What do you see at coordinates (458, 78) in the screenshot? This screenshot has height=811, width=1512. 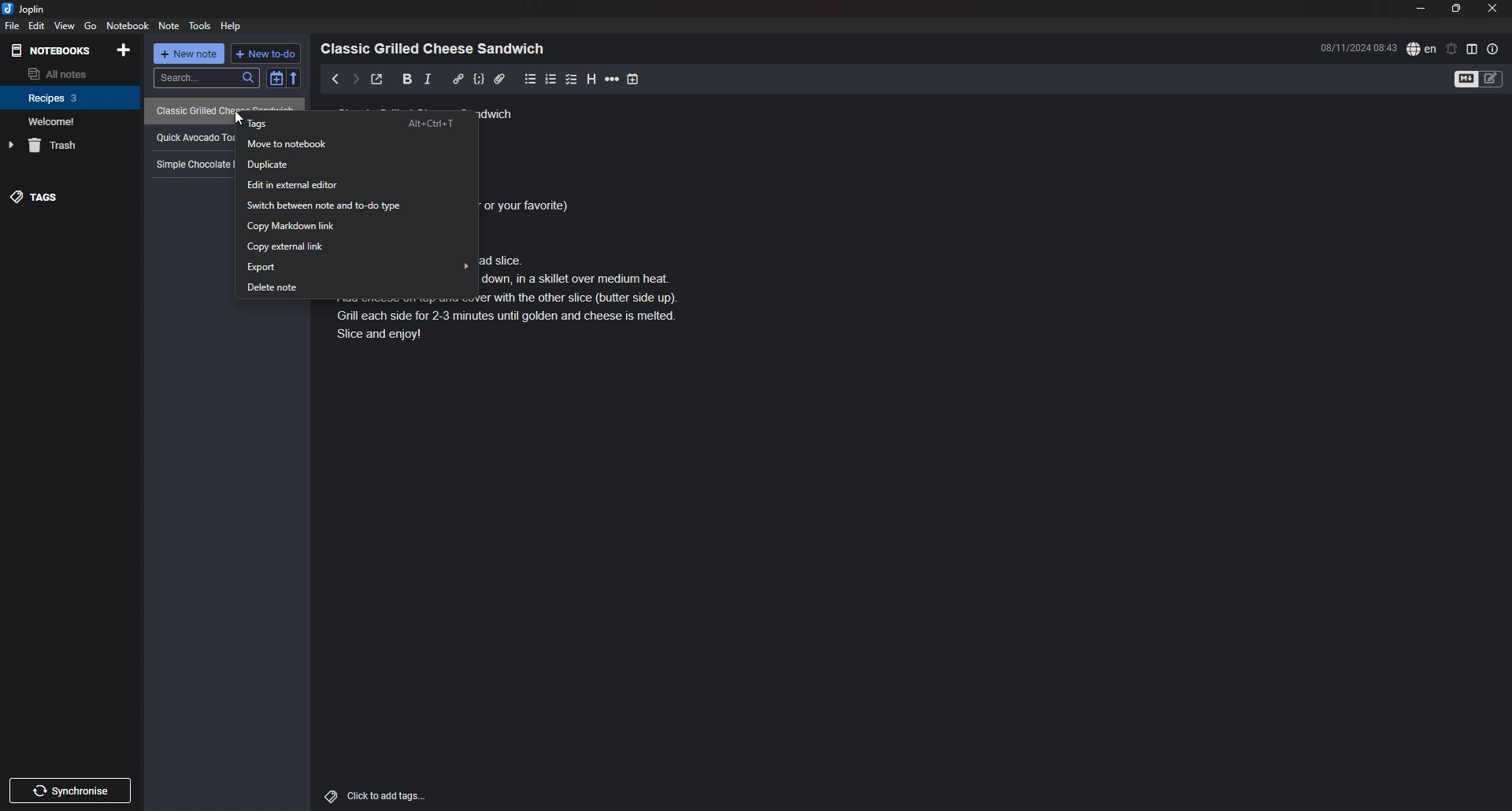 I see `hyperlink` at bounding box center [458, 78].